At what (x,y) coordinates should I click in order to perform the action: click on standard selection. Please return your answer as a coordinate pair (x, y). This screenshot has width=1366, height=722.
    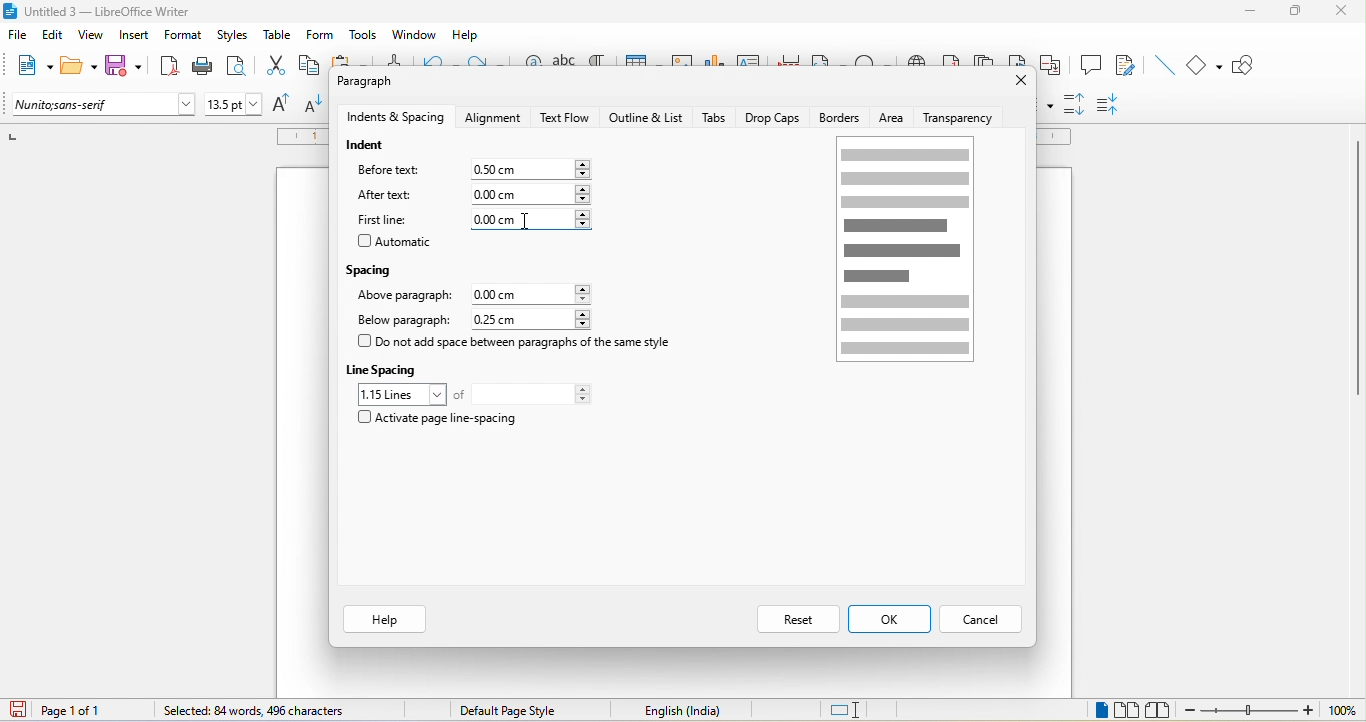
    Looking at the image, I should click on (847, 711).